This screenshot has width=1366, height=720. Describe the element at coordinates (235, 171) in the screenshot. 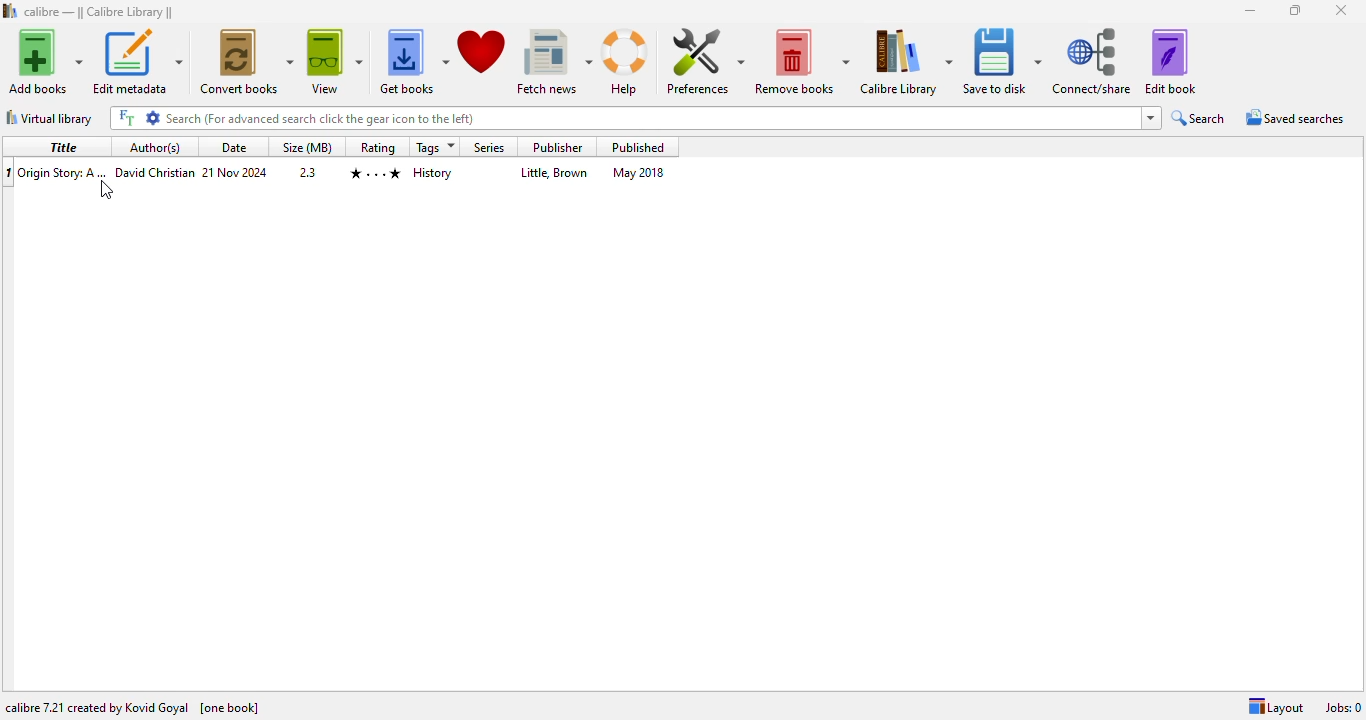

I see `21 Nov 2024` at that location.